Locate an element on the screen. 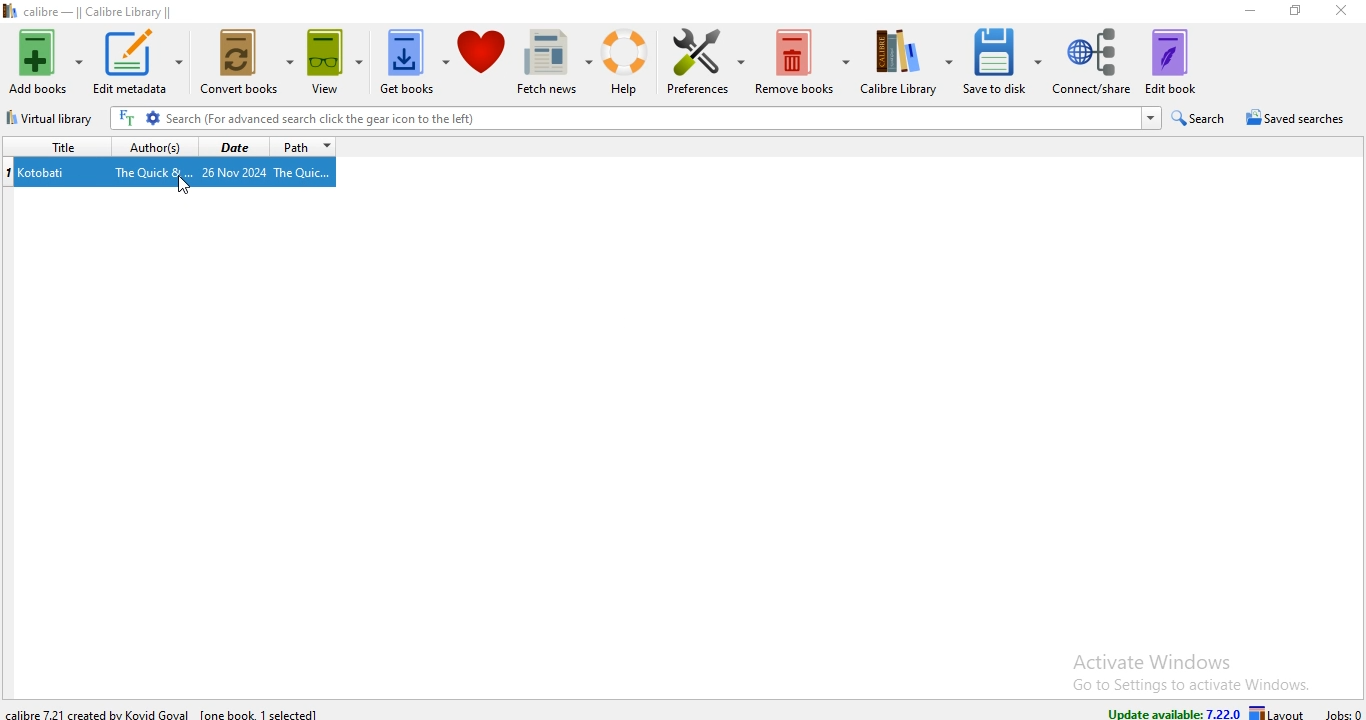 The height and width of the screenshot is (720, 1366). view is located at coordinates (337, 63).